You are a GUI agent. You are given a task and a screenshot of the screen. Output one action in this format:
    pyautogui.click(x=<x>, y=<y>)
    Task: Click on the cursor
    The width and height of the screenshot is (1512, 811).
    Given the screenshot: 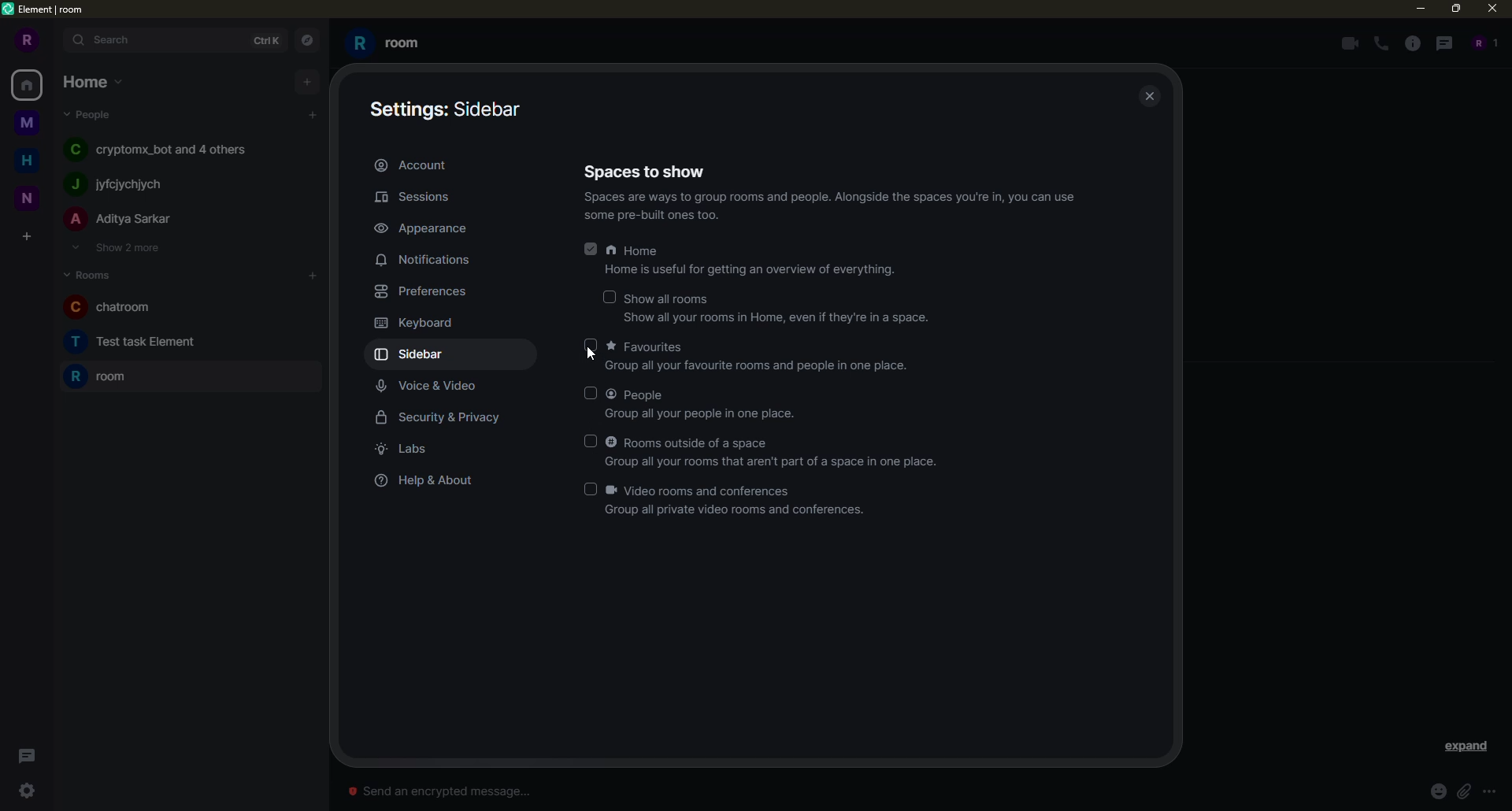 What is the action you would take?
    pyautogui.click(x=580, y=354)
    